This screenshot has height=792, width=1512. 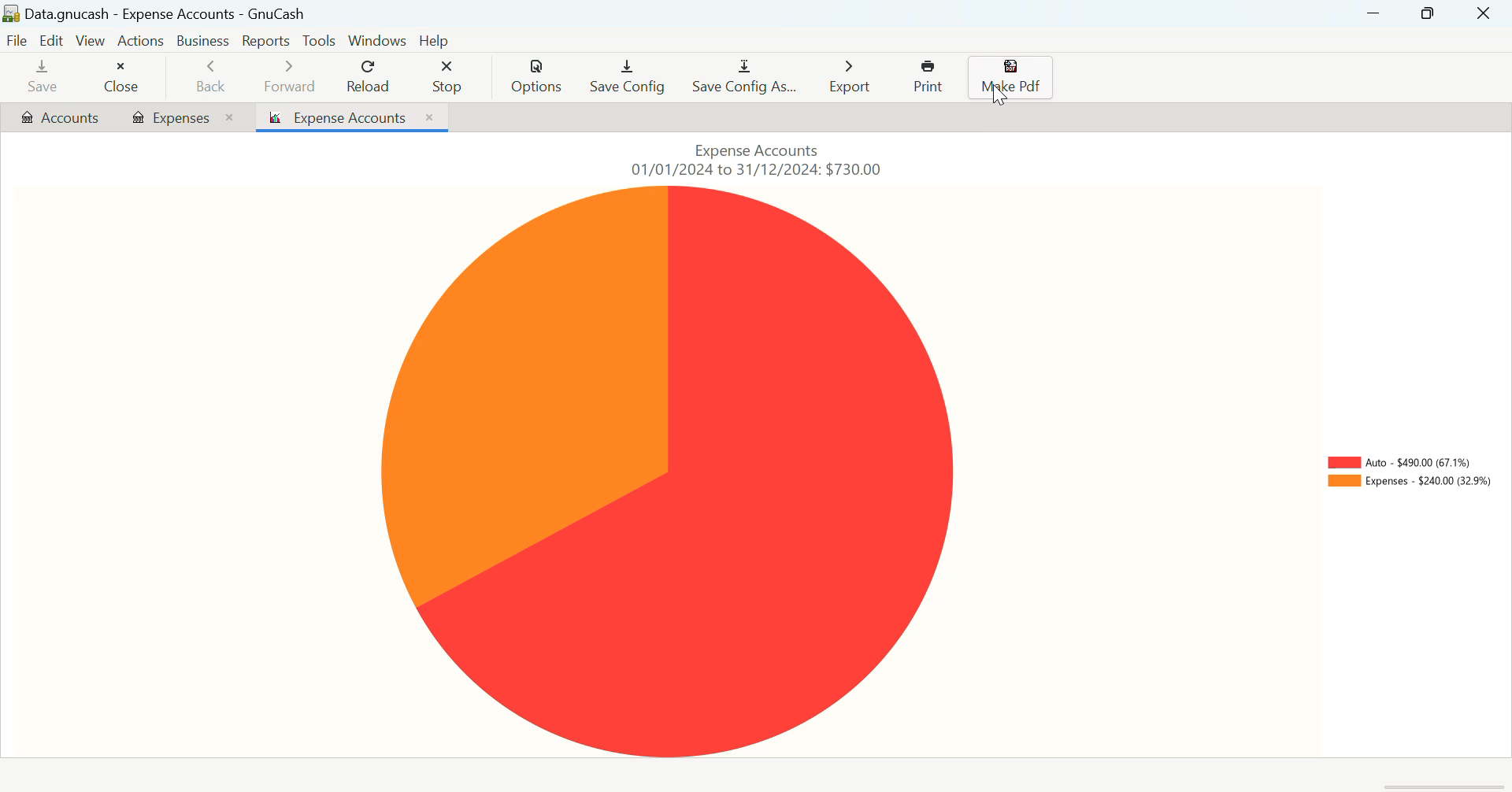 I want to click on Stop, so click(x=452, y=79).